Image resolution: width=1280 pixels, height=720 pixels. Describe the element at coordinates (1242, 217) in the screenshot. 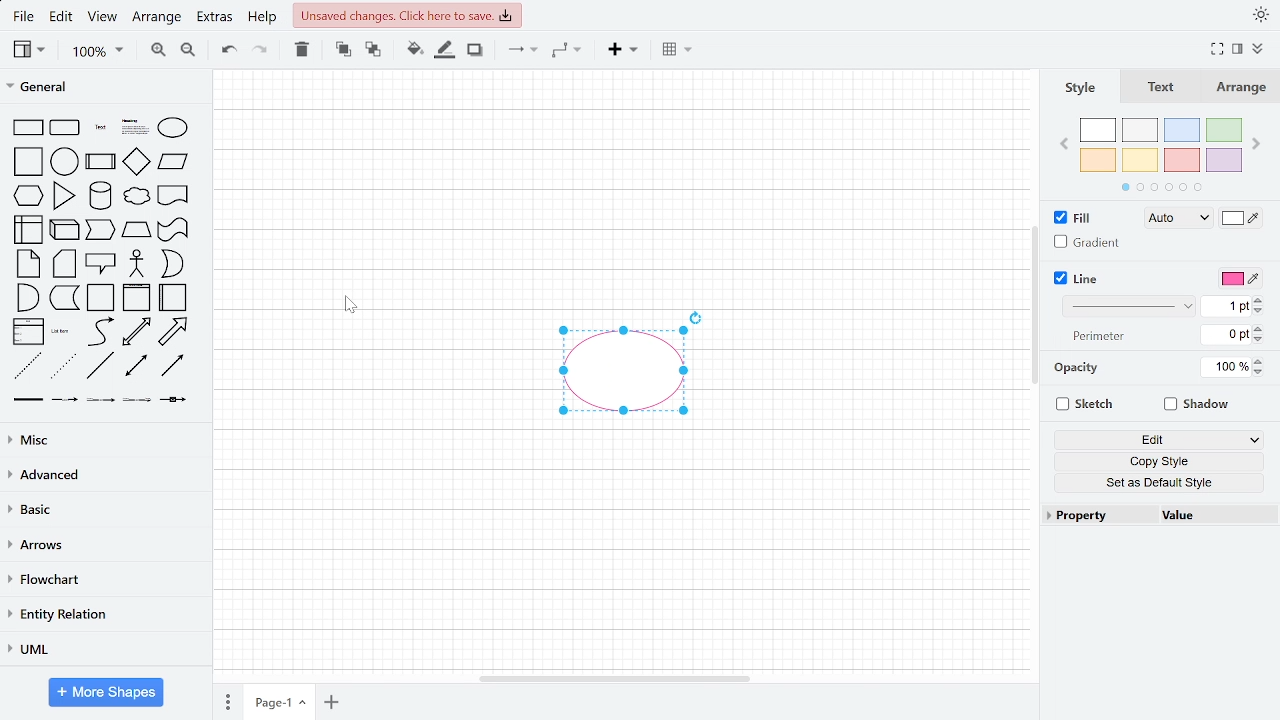

I see `Fill colore` at that location.